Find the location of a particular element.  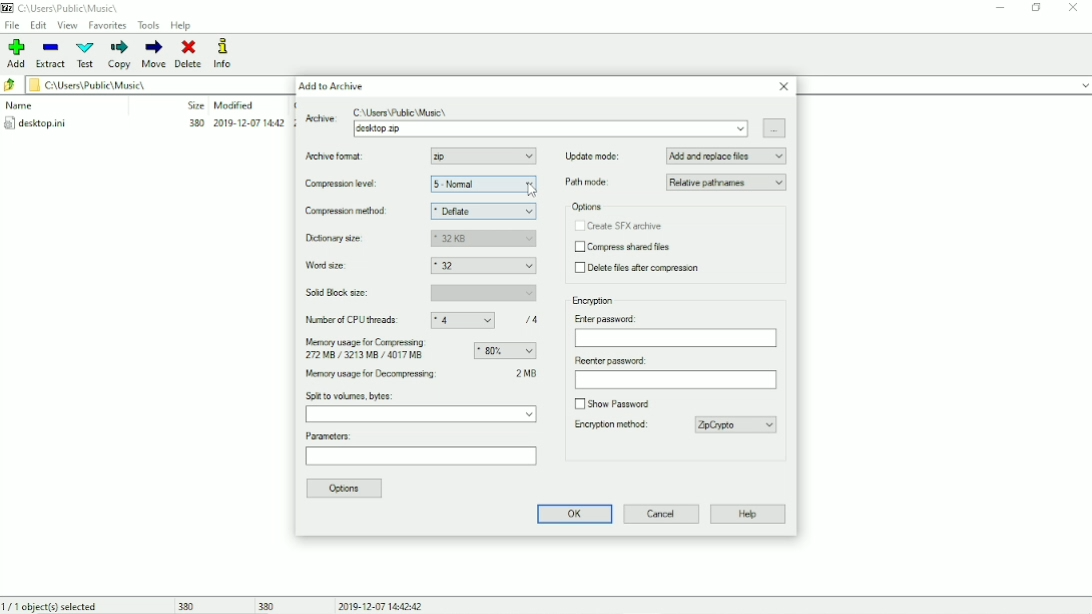

1/1 object(s) selected is located at coordinates (55, 605).